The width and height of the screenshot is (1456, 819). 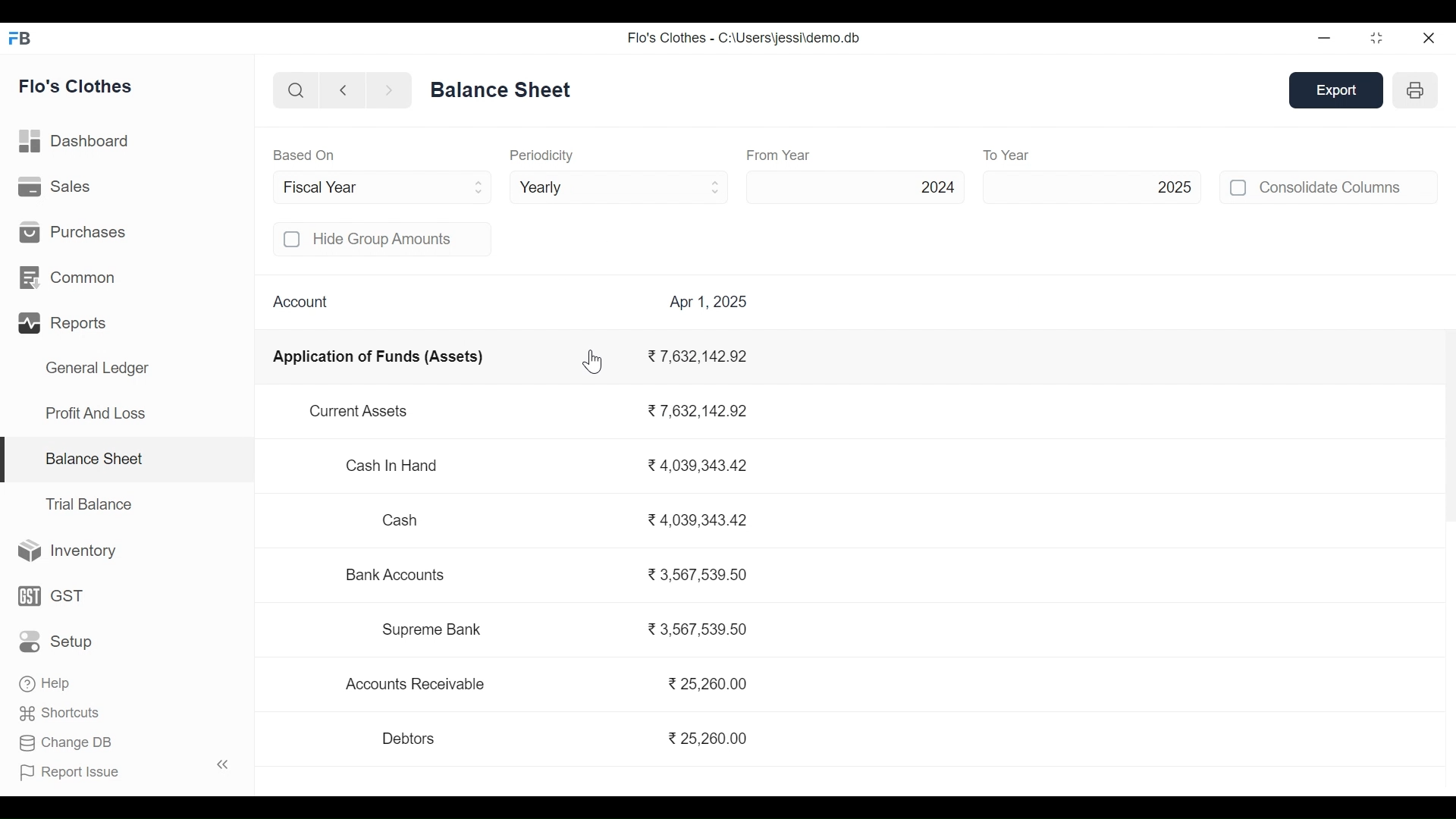 What do you see at coordinates (541, 155) in the screenshot?
I see `Periodicity` at bounding box center [541, 155].